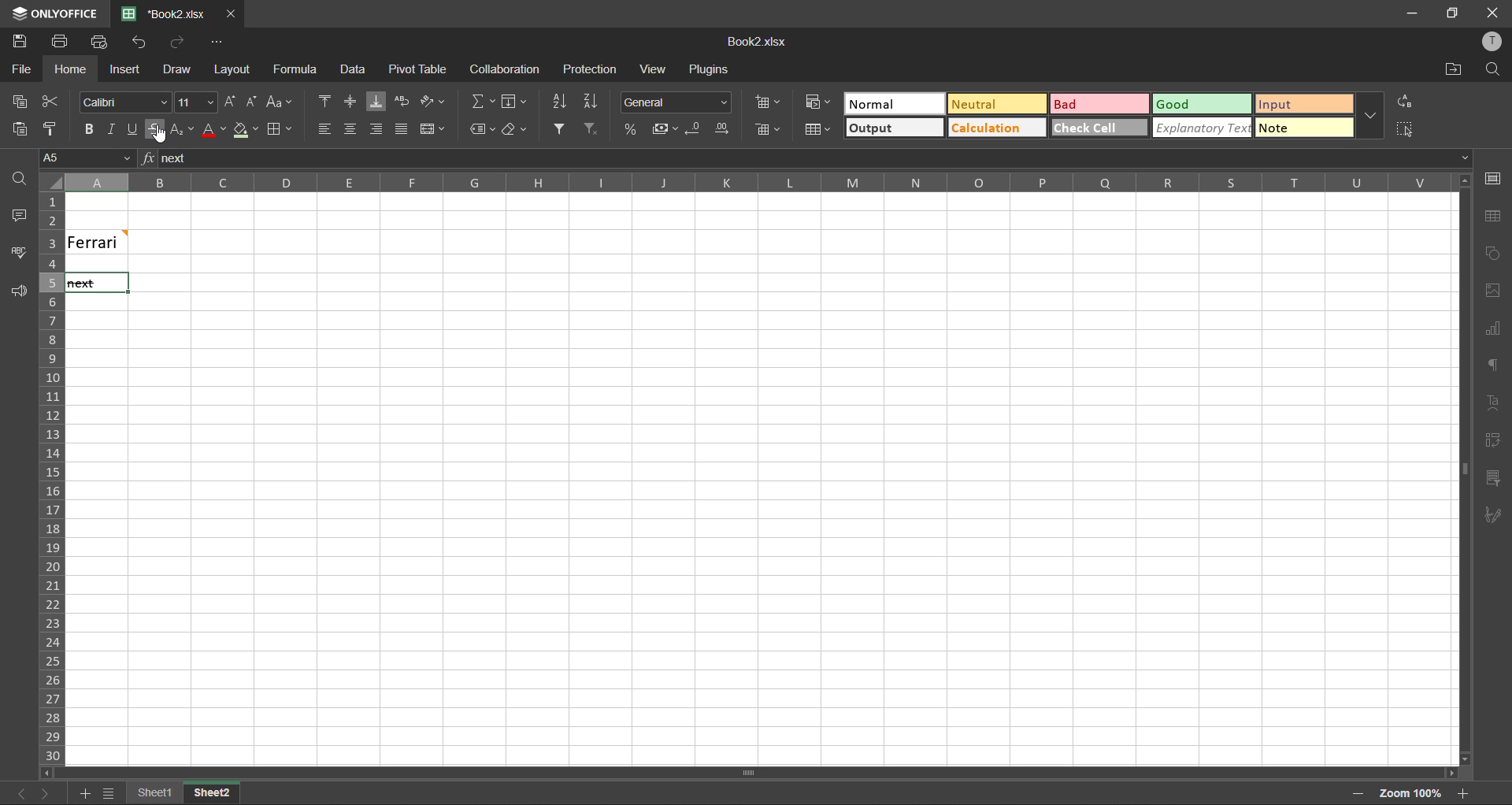  I want to click on align bottom, so click(380, 103).